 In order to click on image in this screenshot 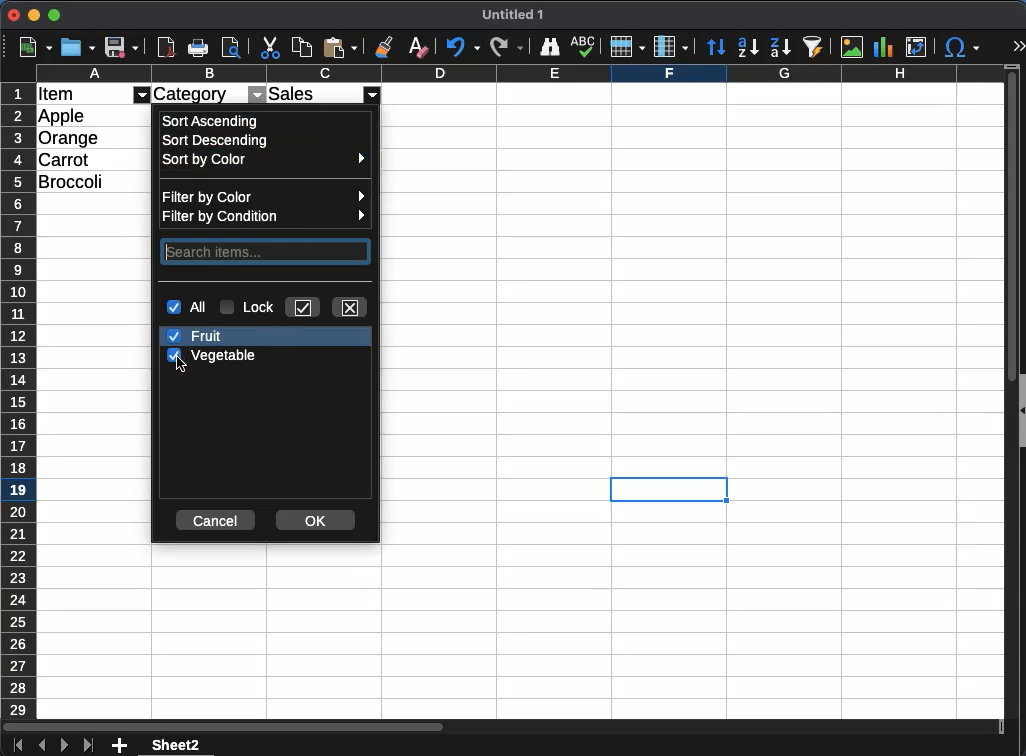, I will do `click(853, 46)`.